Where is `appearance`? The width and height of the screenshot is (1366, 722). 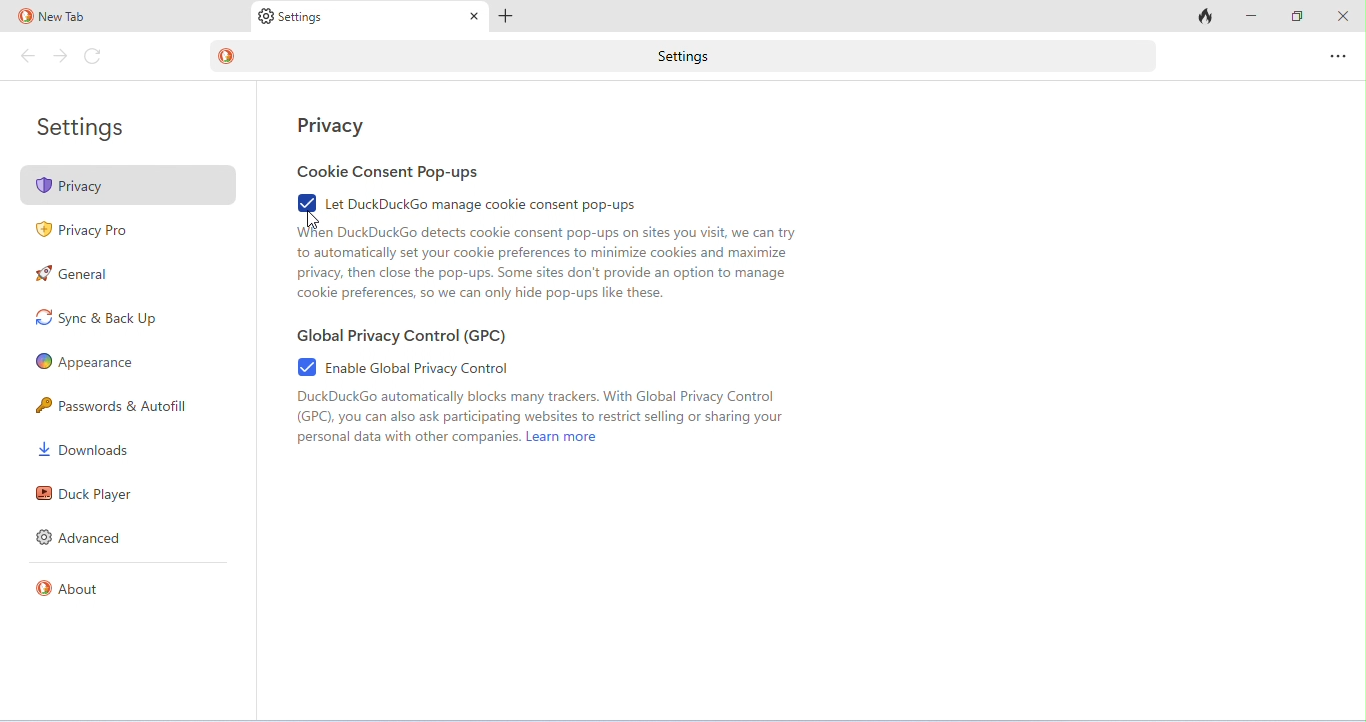
appearance is located at coordinates (85, 363).